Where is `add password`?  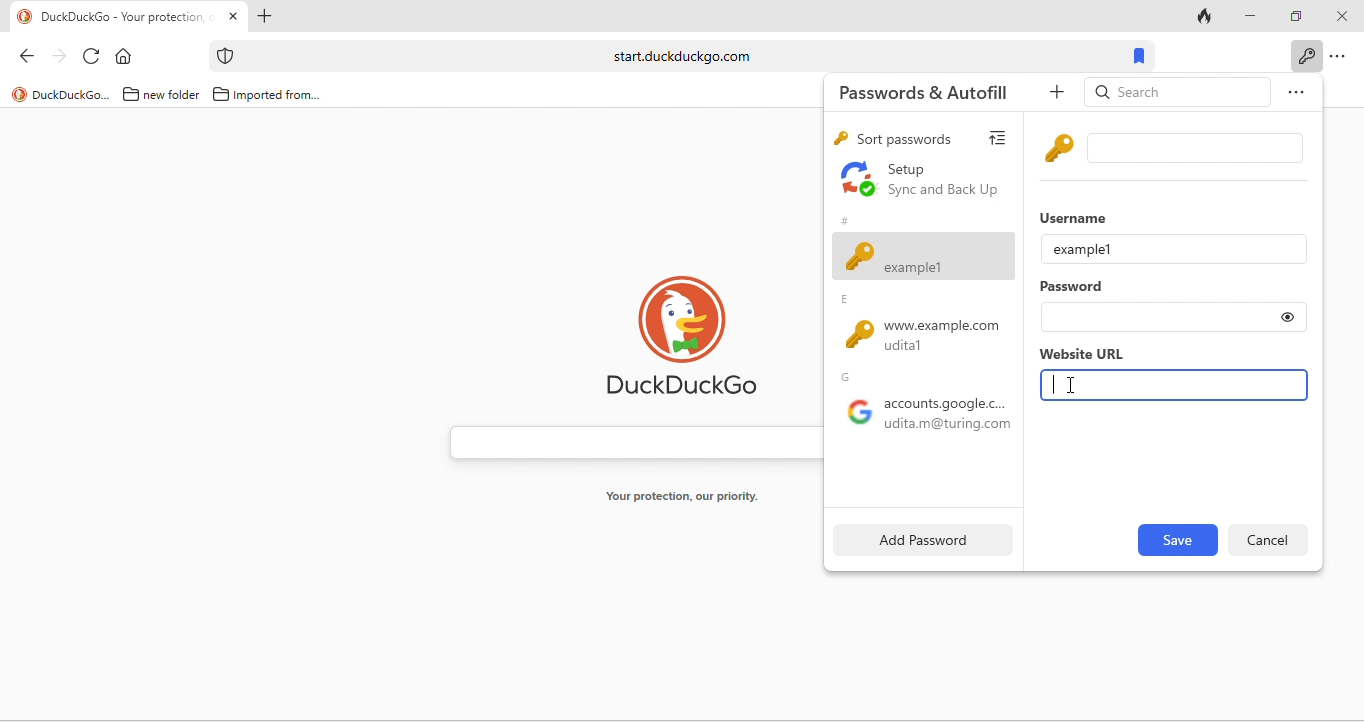 add password is located at coordinates (919, 539).